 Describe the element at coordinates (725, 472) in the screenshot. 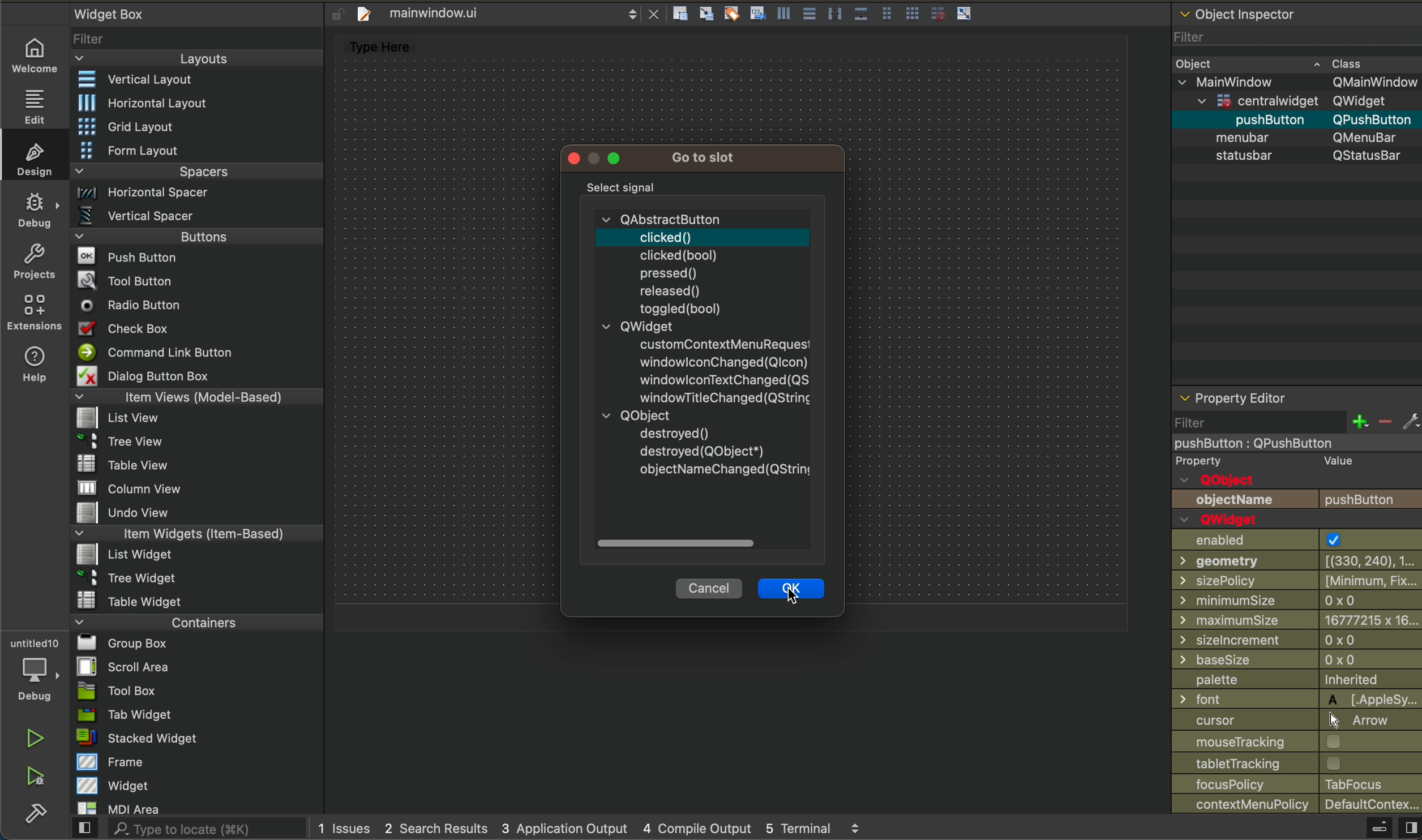

I see `objectNameChanged (QString` at that location.